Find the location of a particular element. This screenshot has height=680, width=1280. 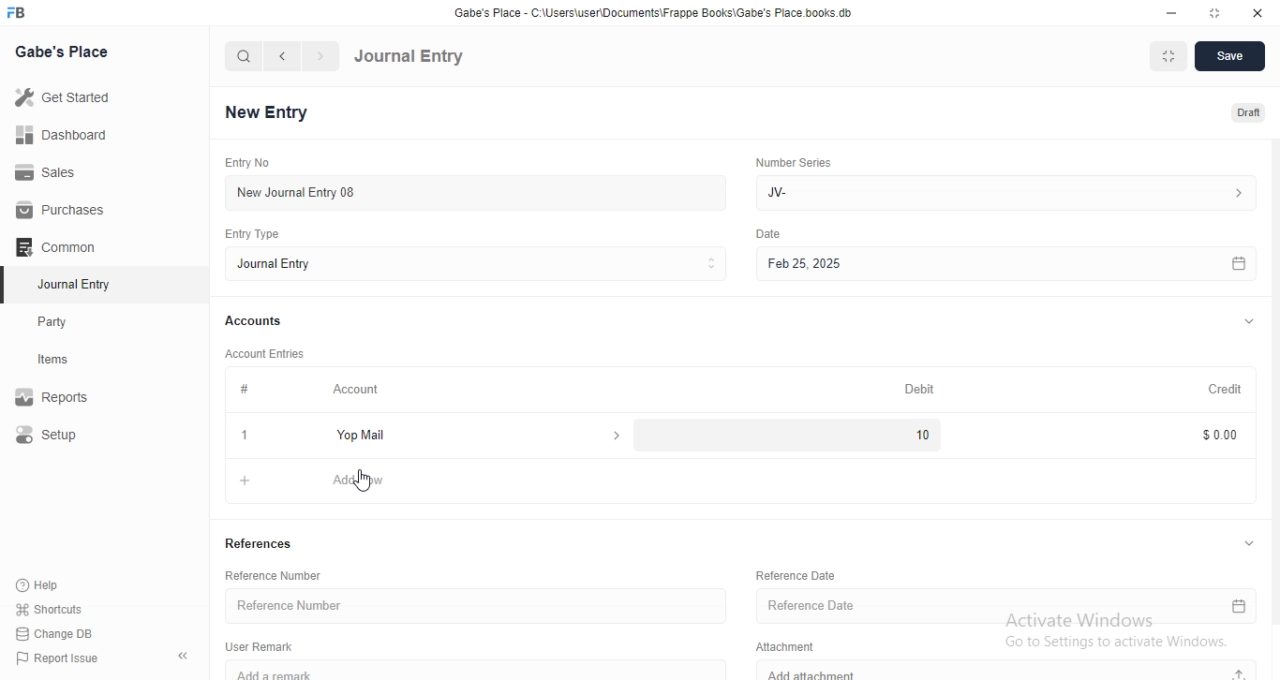

Setup is located at coordinates (68, 436).